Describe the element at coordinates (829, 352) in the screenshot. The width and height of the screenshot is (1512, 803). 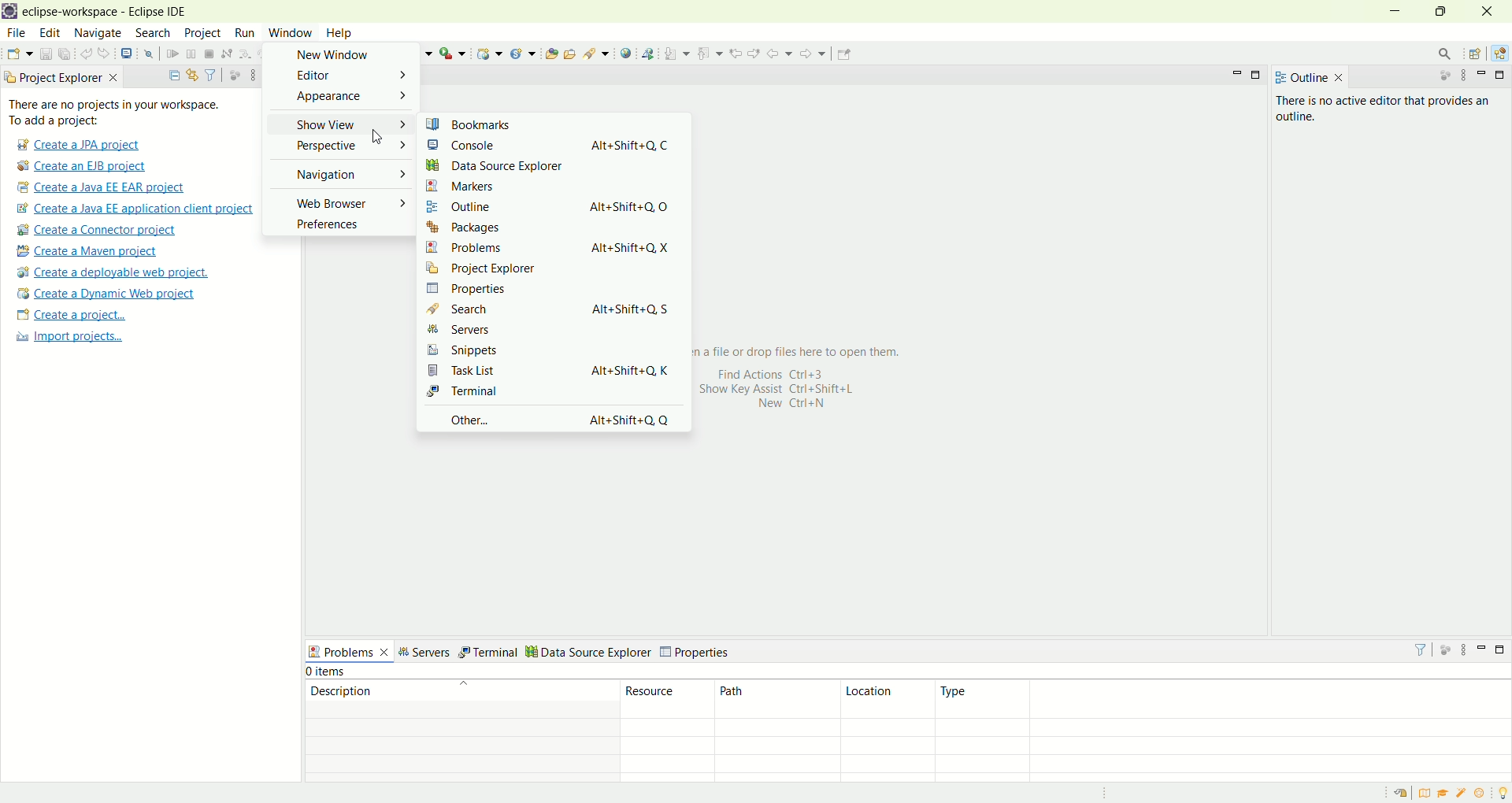
I see `a file to drop files here to open them` at that location.